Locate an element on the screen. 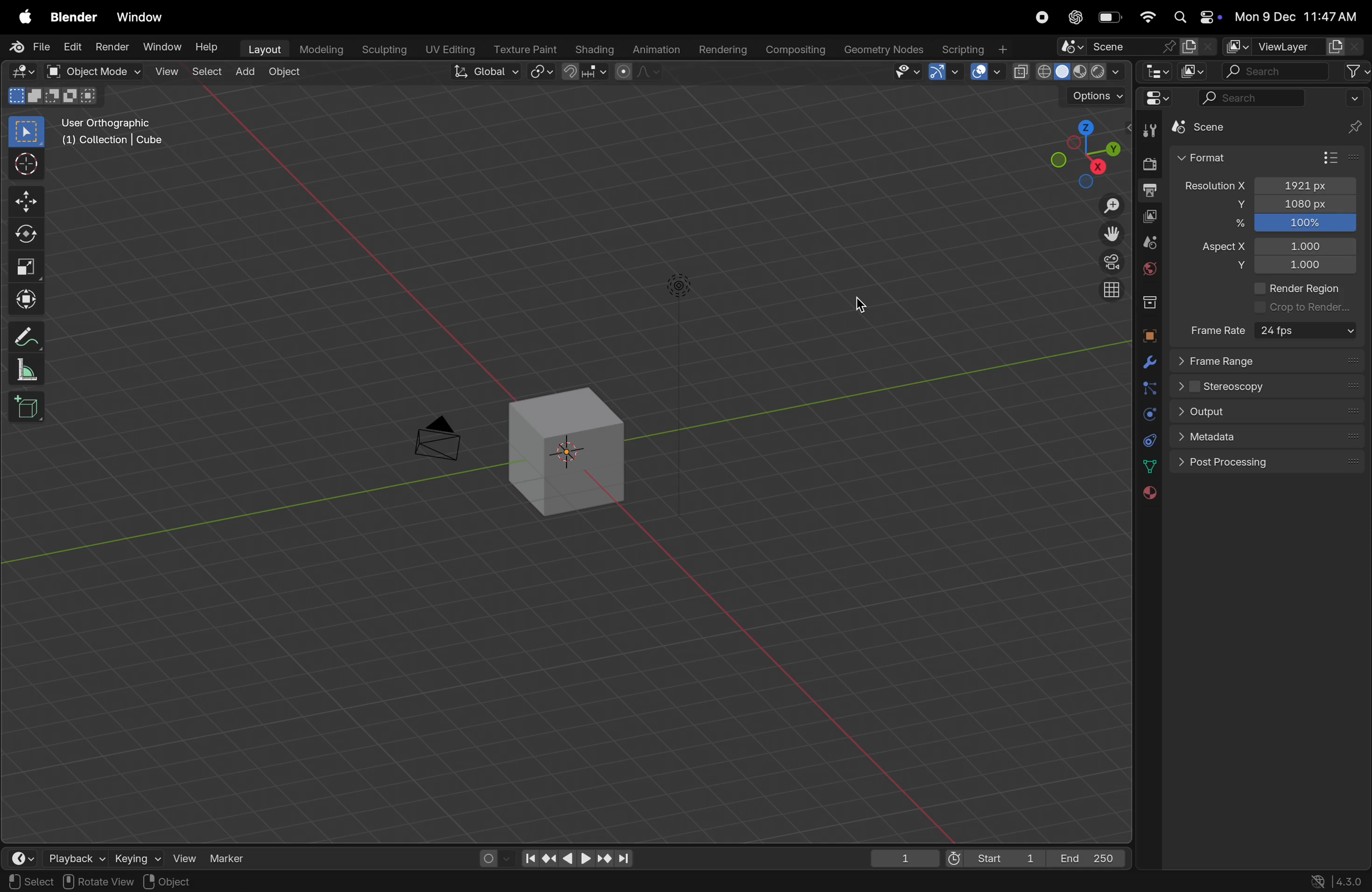  display mode is located at coordinates (1198, 71).